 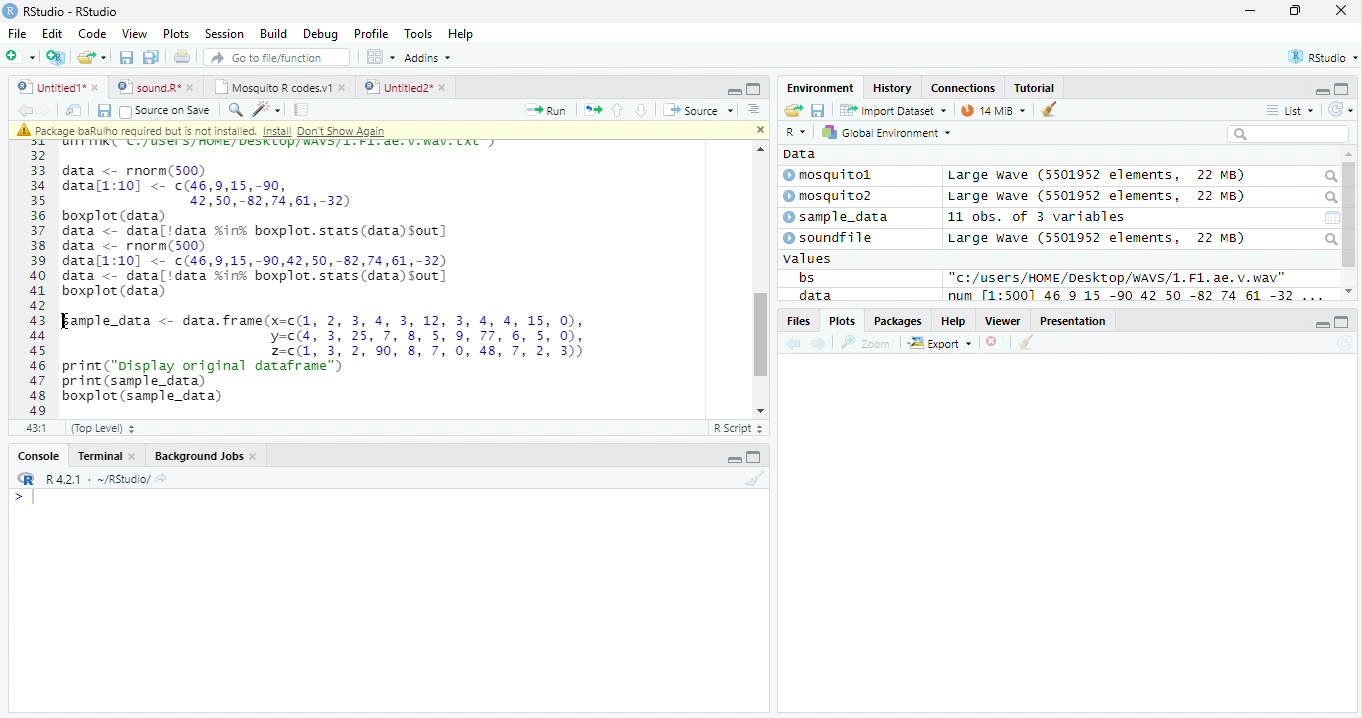 I want to click on bs, so click(x=806, y=277).